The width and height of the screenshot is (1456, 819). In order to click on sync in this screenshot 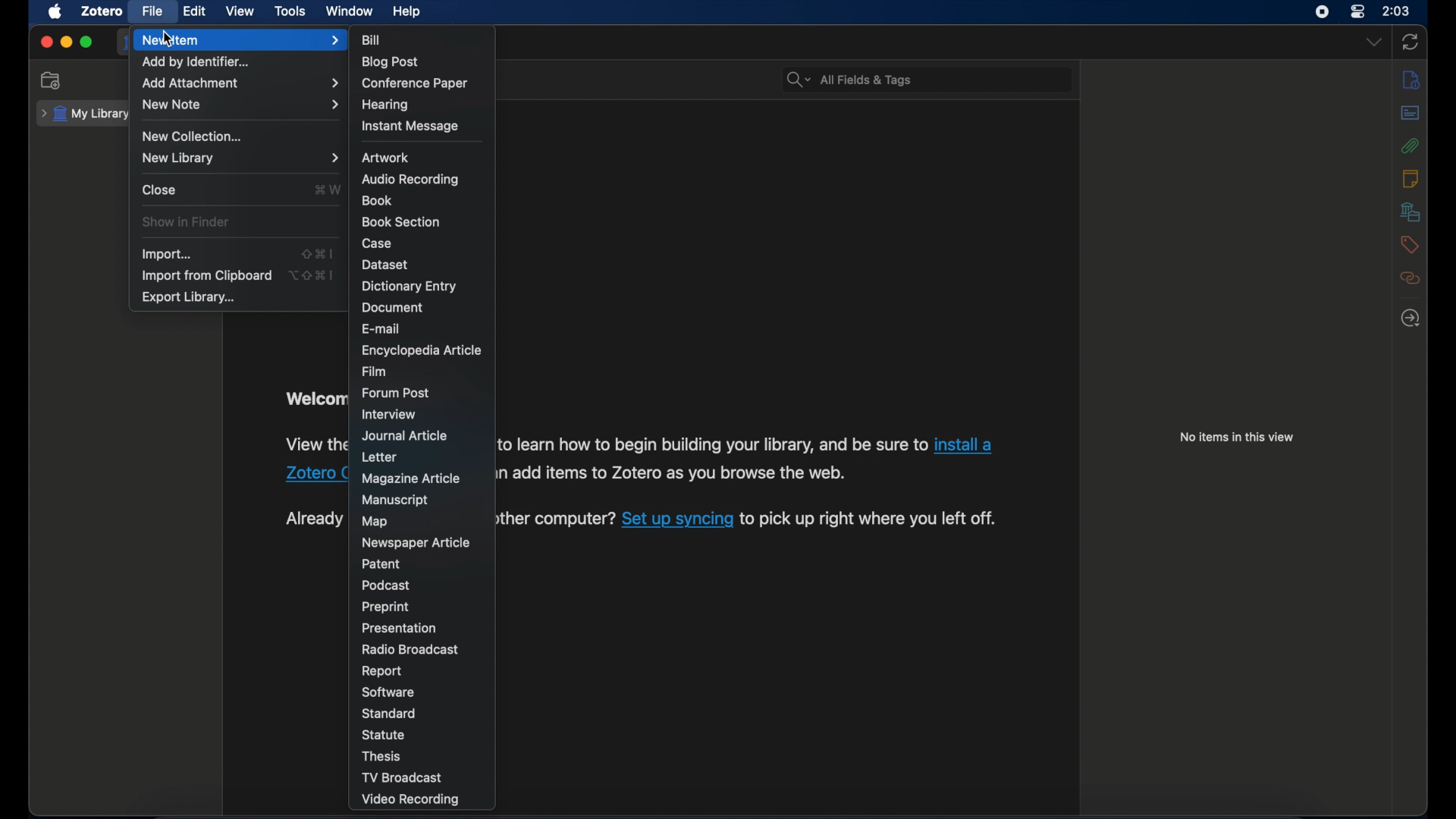, I will do `click(1410, 42)`.